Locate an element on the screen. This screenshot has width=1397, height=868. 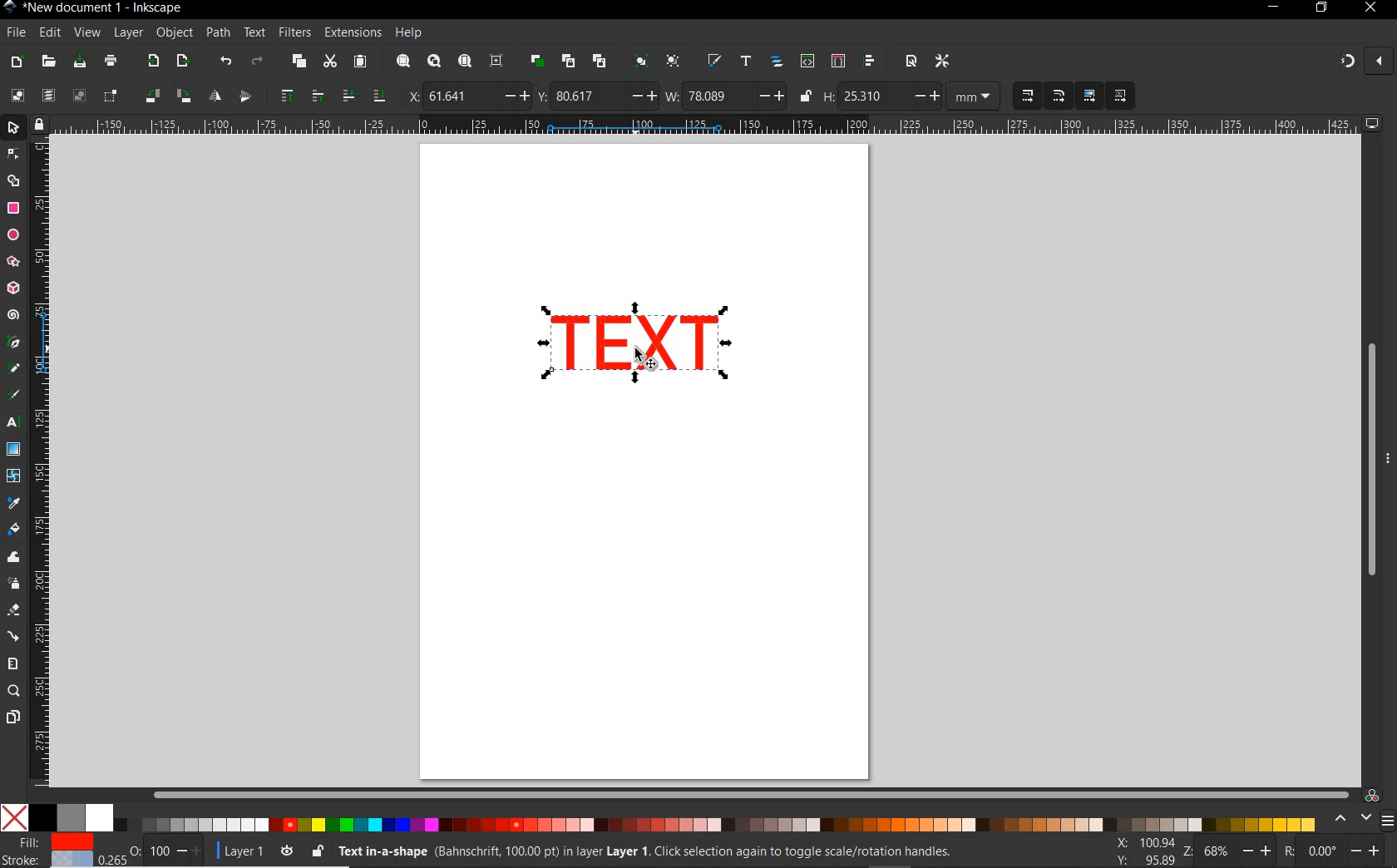
color managed code is located at coordinates (1372, 795).